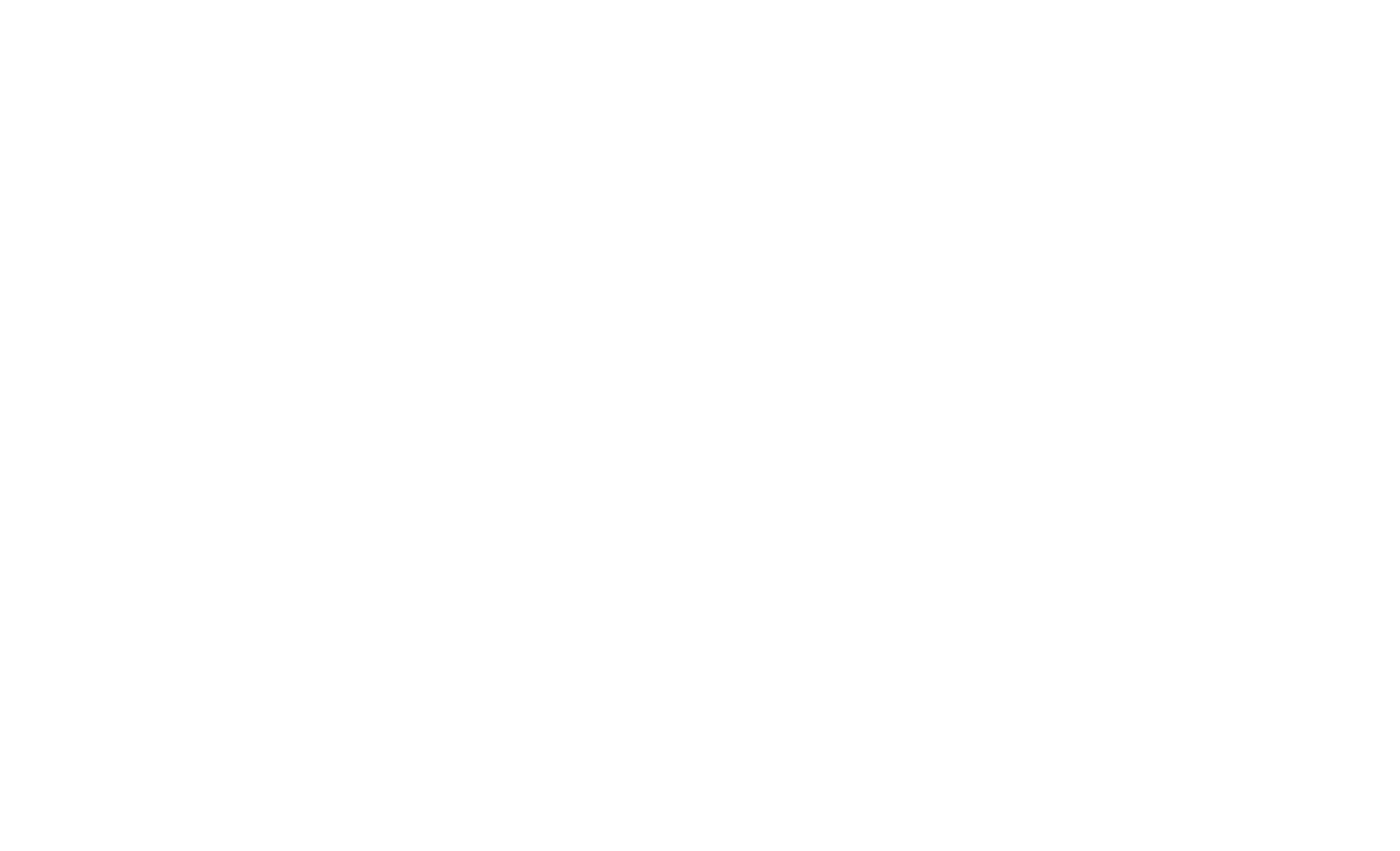 The height and width of the screenshot is (851, 1400). I want to click on Add, so click(297, 804).